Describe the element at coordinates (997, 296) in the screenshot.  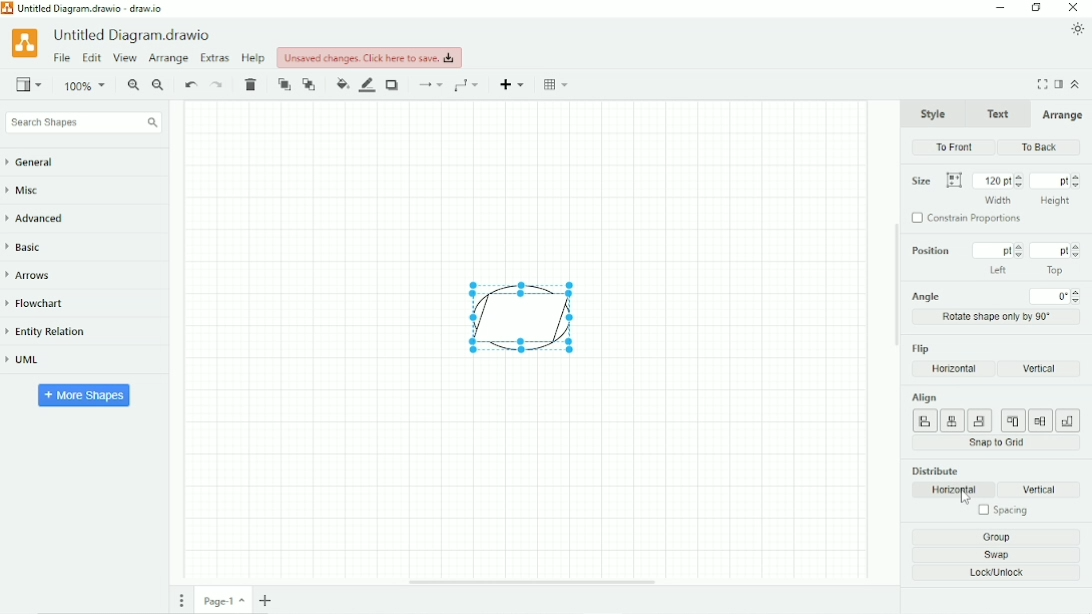
I see `Angle` at that location.